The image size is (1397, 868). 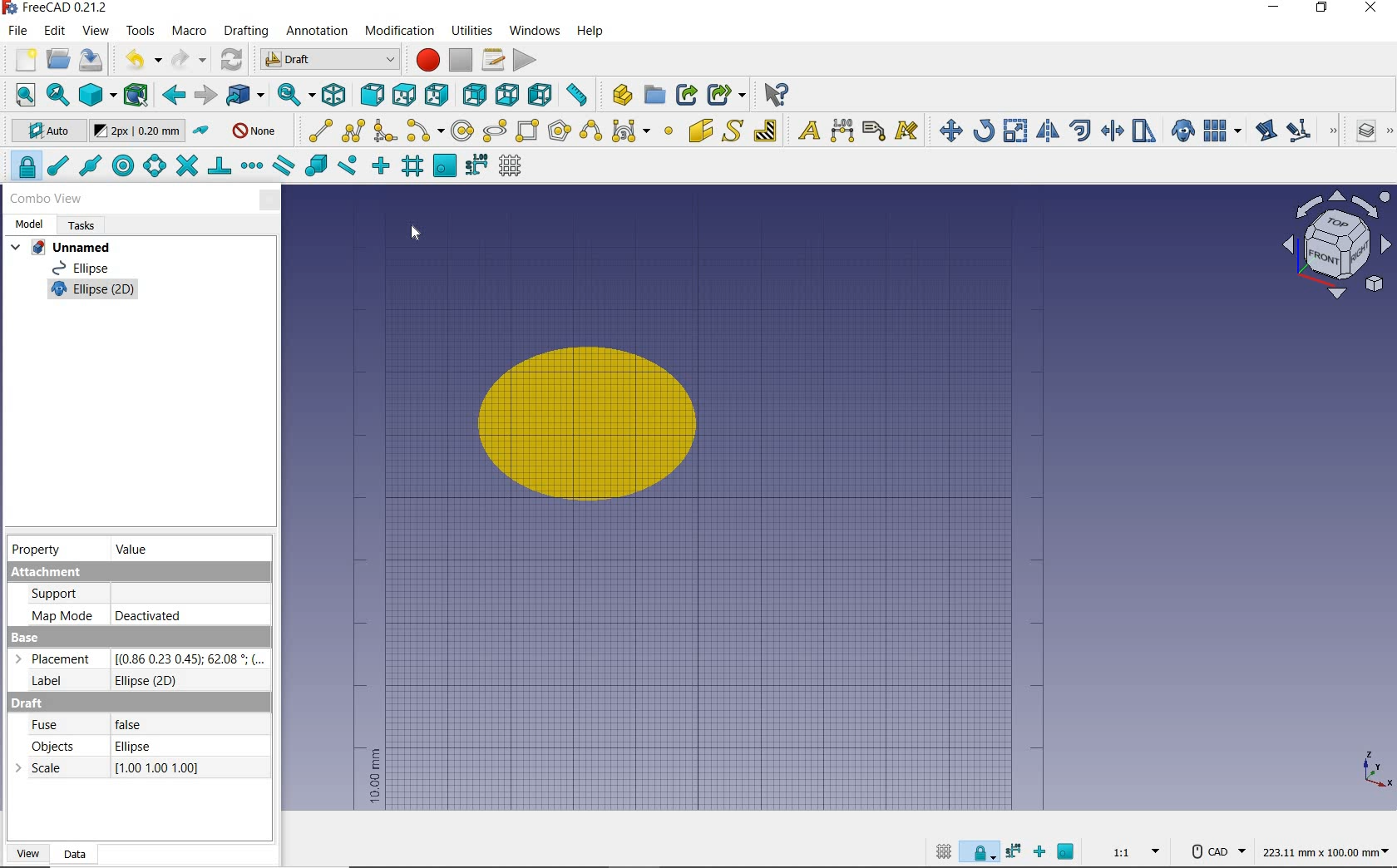 I want to click on attachment, so click(x=140, y=595).